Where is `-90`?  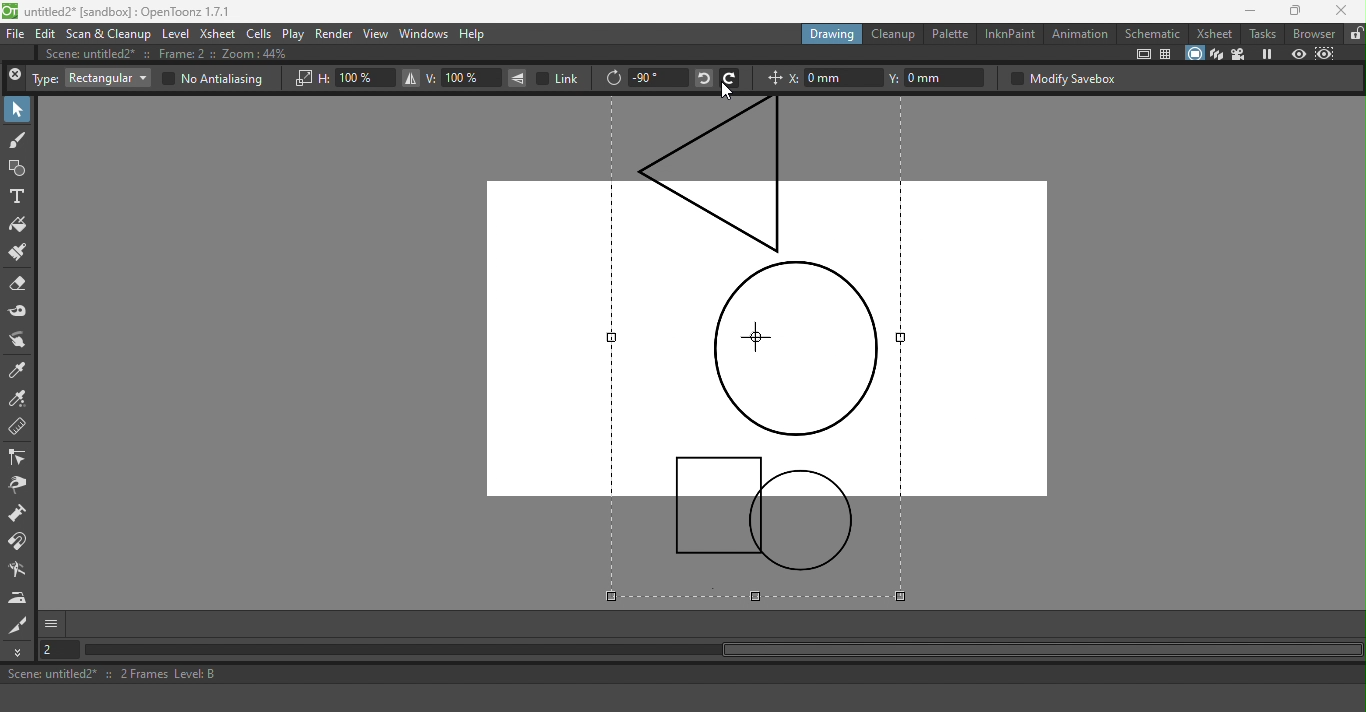
-90 is located at coordinates (657, 77).